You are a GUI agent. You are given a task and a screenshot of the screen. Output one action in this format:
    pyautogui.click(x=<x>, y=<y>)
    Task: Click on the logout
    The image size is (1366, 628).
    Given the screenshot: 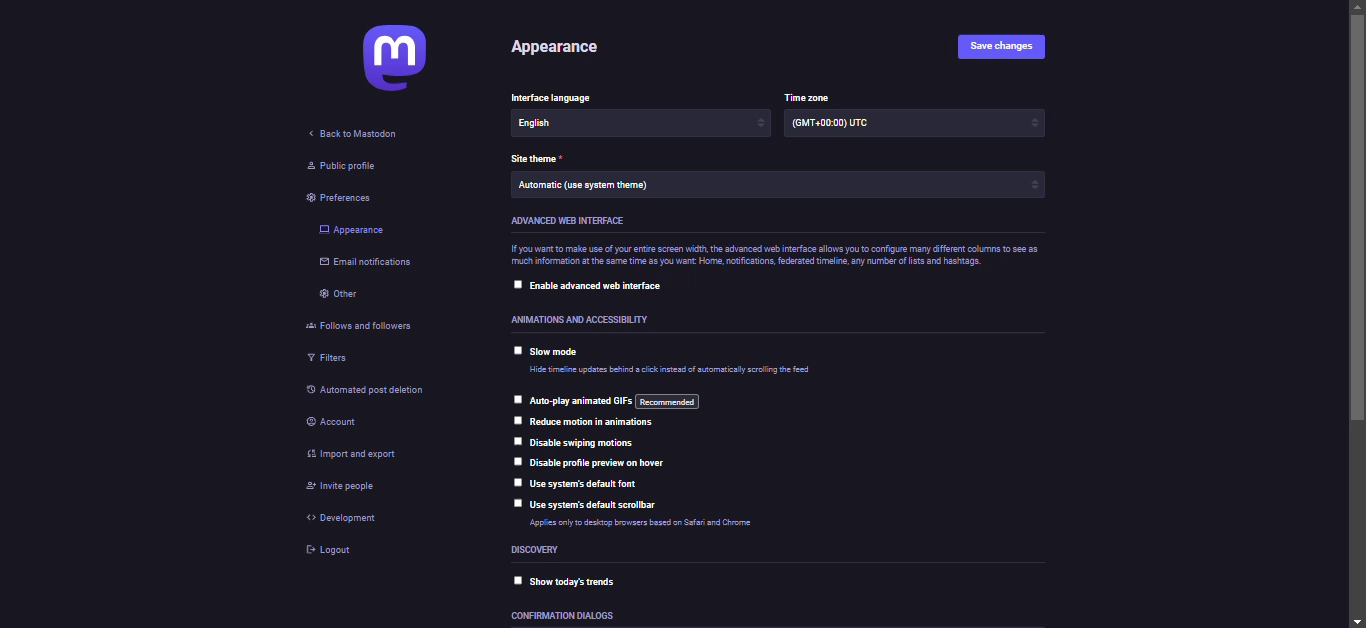 What is the action you would take?
    pyautogui.click(x=333, y=551)
    